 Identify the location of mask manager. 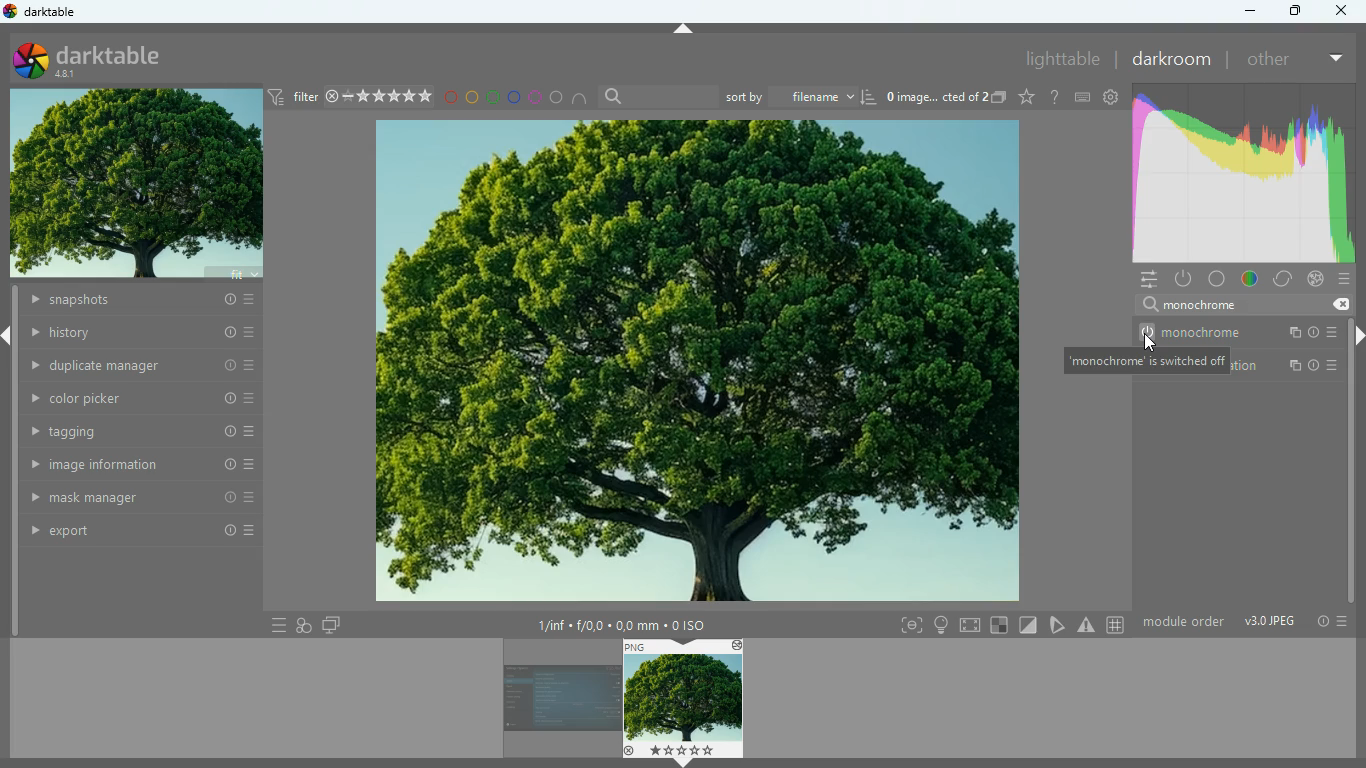
(143, 499).